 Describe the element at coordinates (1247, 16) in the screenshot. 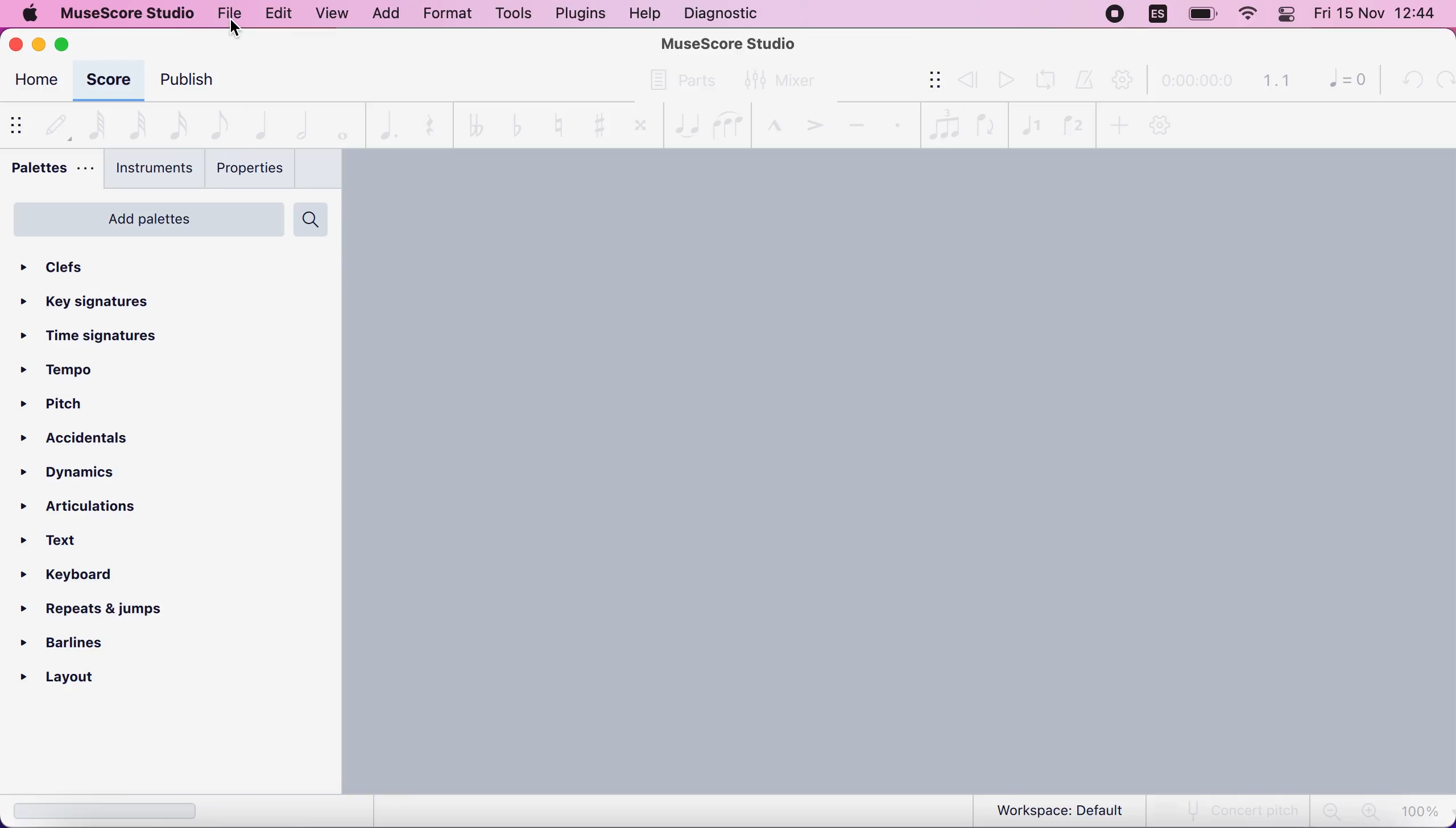

I see `wifi` at that location.